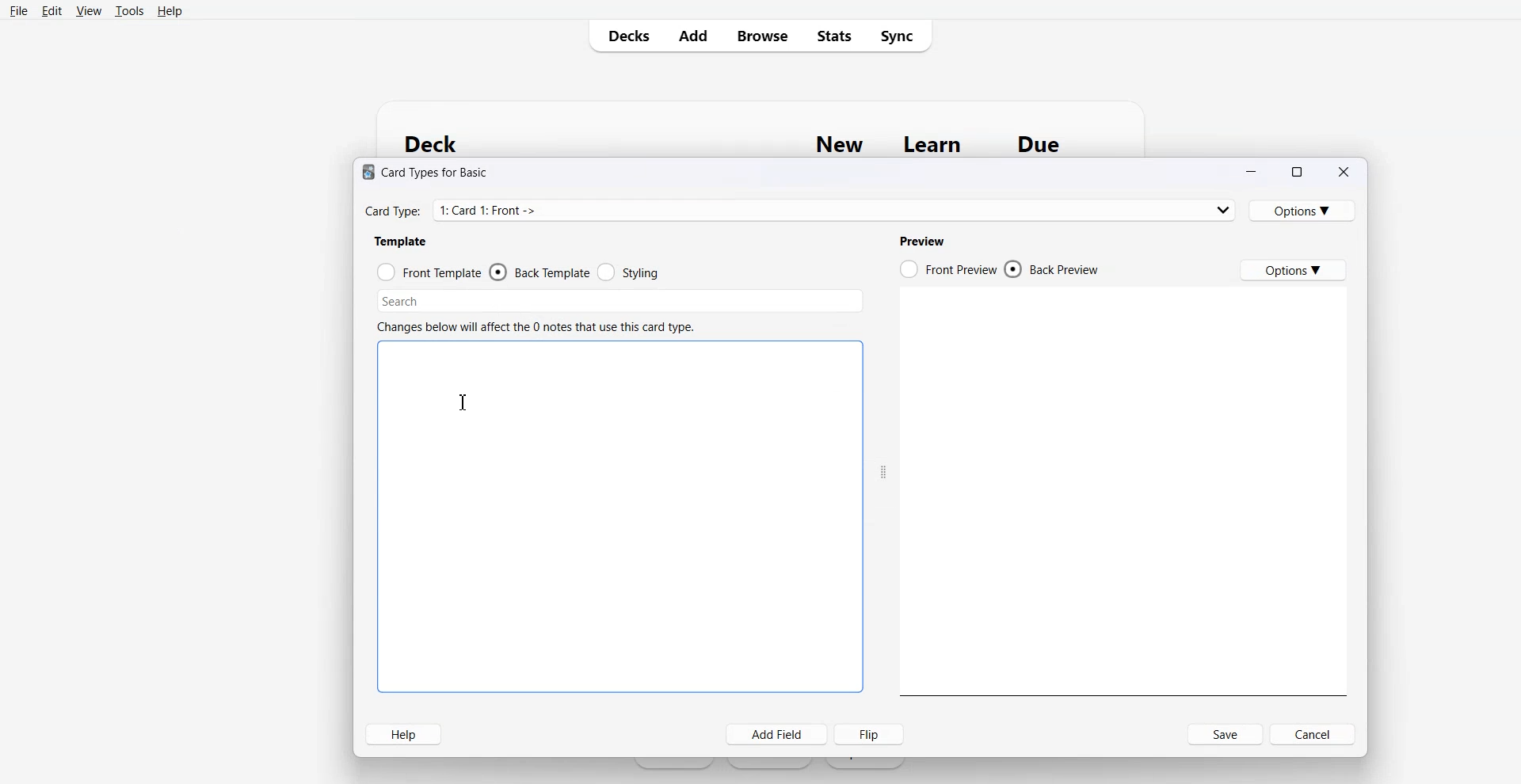  What do you see at coordinates (540, 272) in the screenshot?
I see `Back template` at bounding box center [540, 272].